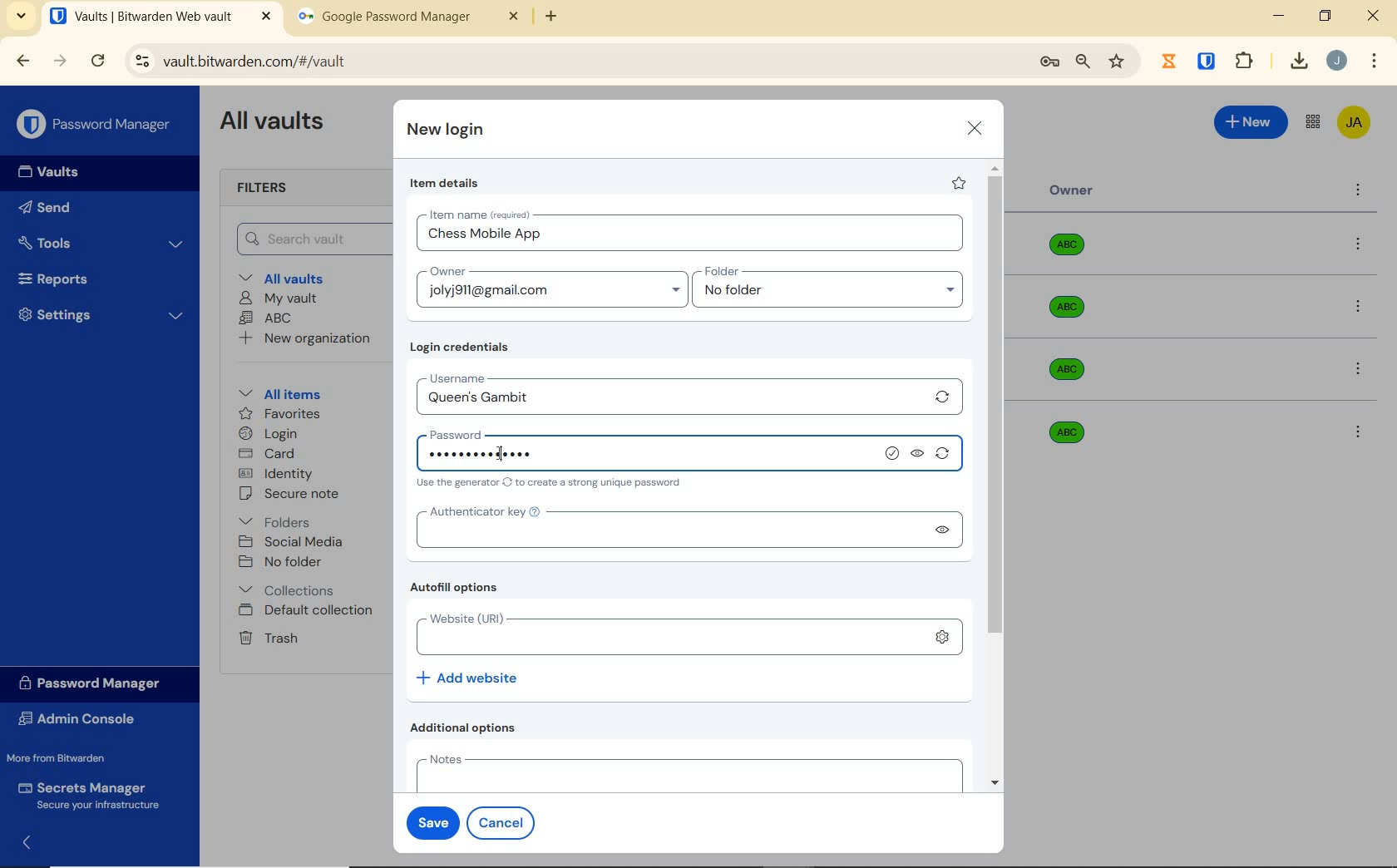  What do you see at coordinates (552, 484) in the screenshot?
I see `Use the generator O to create a strong unique password` at bounding box center [552, 484].